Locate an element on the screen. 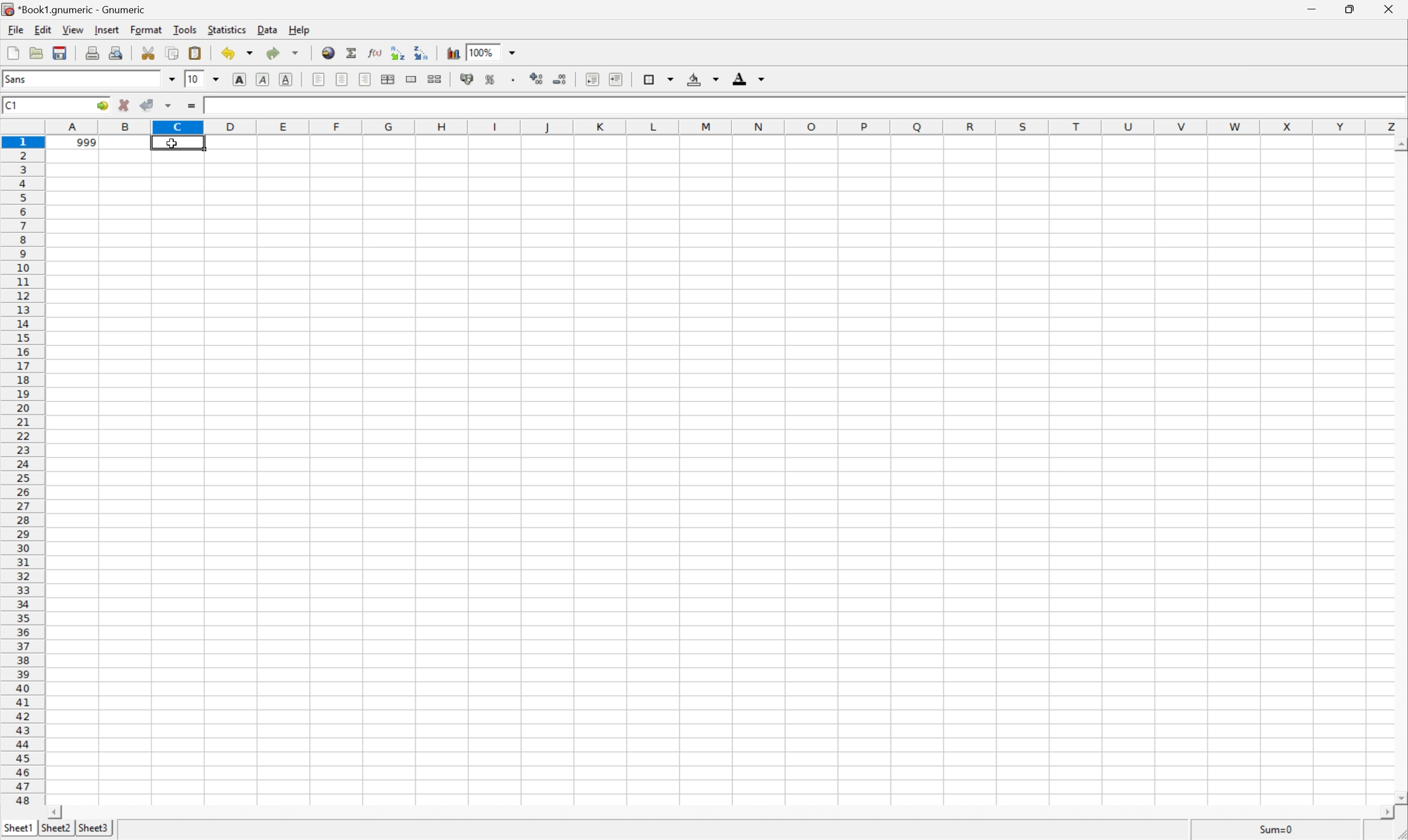 The height and width of the screenshot is (840, 1408). restore down is located at coordinates (1349, 11).